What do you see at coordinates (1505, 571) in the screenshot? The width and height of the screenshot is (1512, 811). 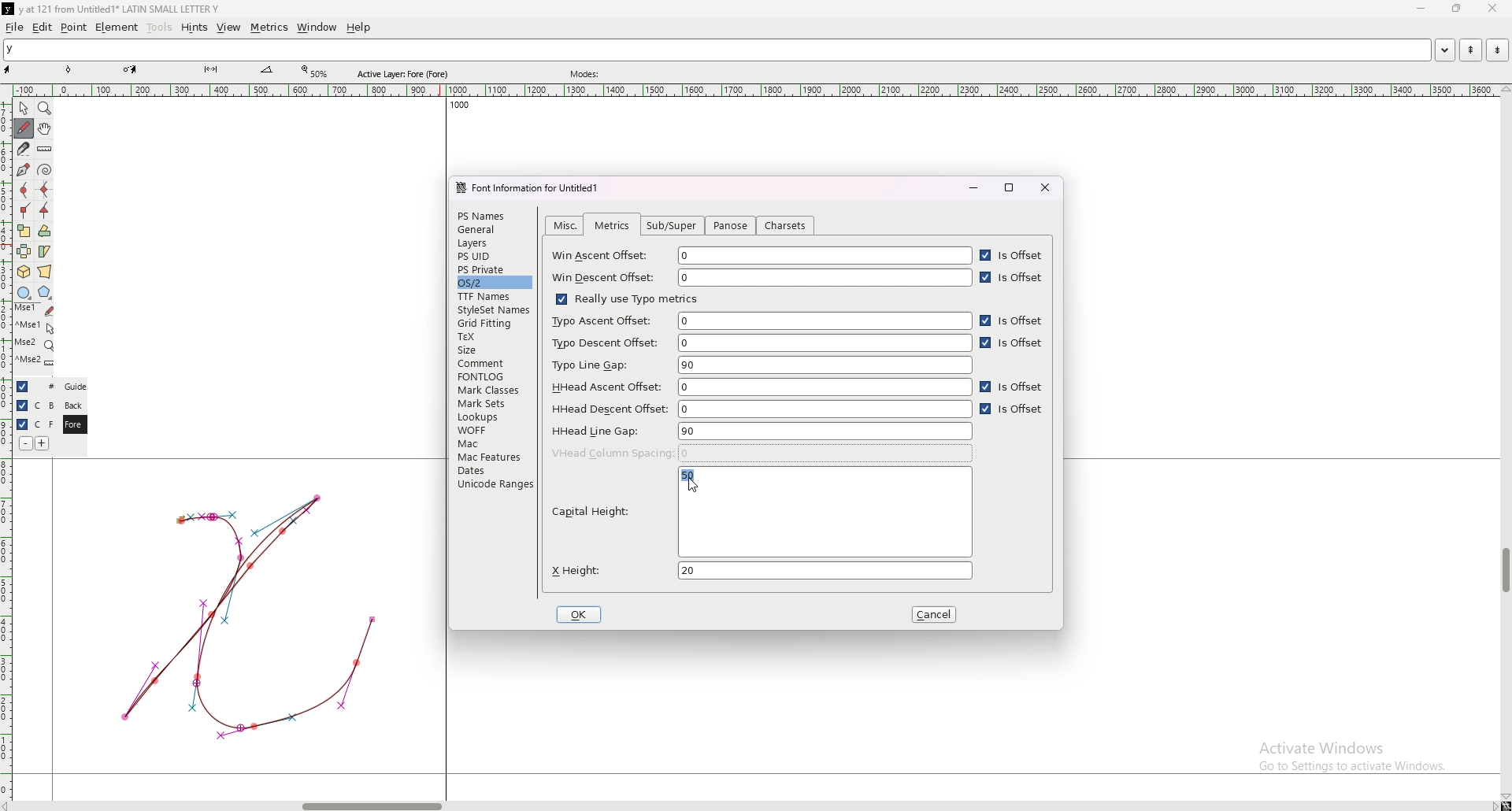 I see `scroll bar vertical` at bounding box center [1505, 571].